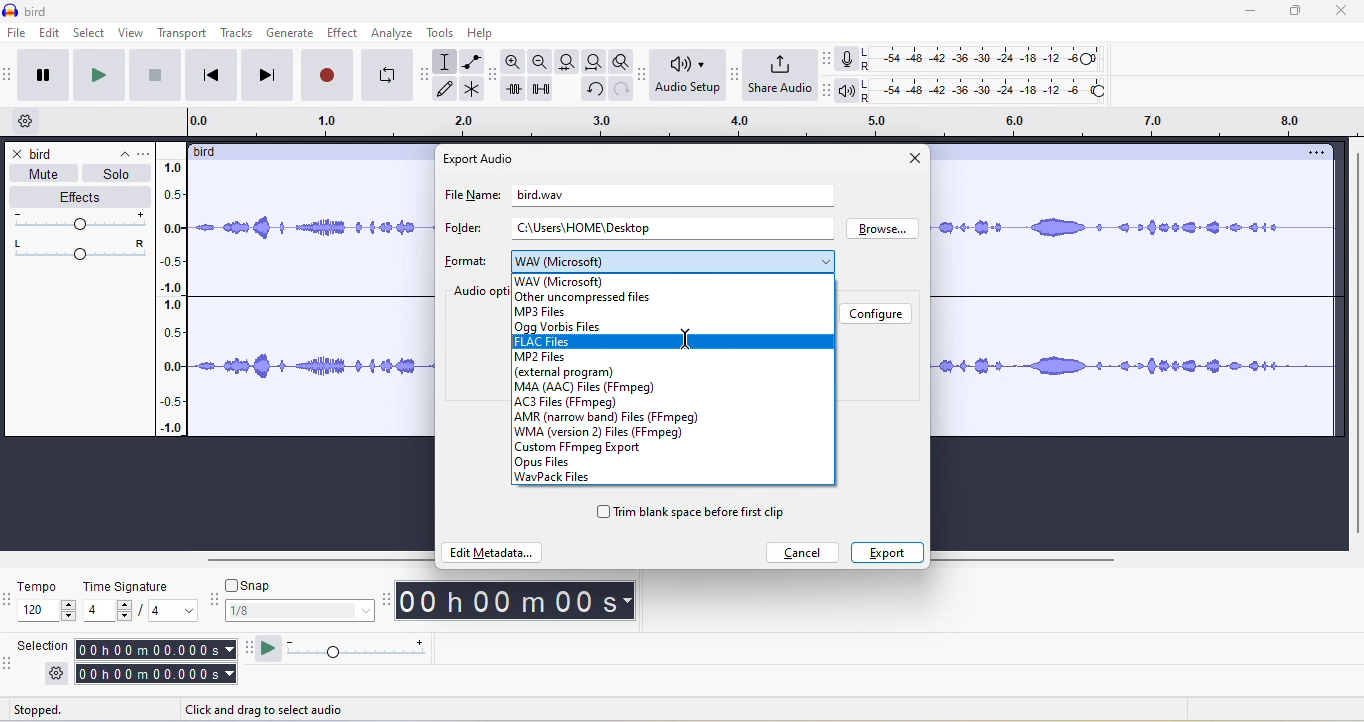  What do you see at coordinates (684, 76) in the screenshot?
I see `audio setup` at bounding box center [684, 76].